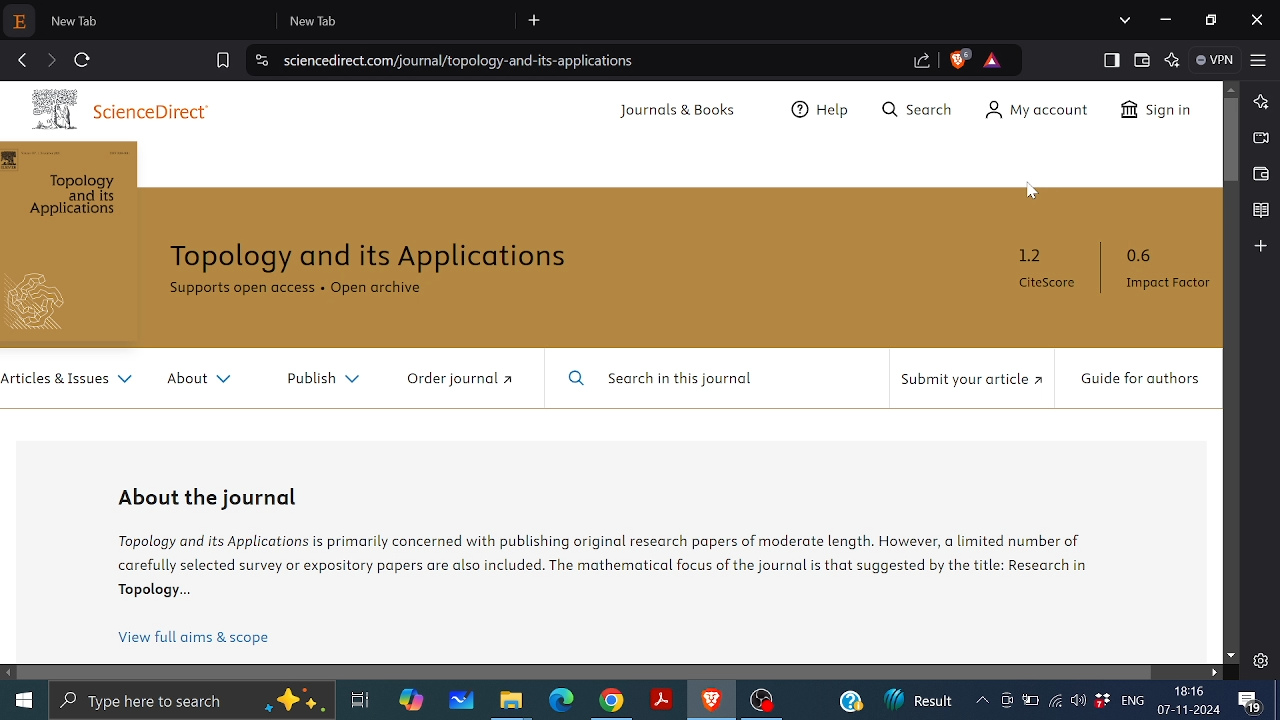 This screenshot has width=1280, height=720. Describe the element at coordinates (160, 20) in the screenshot. I see `1st new tab` at that location.